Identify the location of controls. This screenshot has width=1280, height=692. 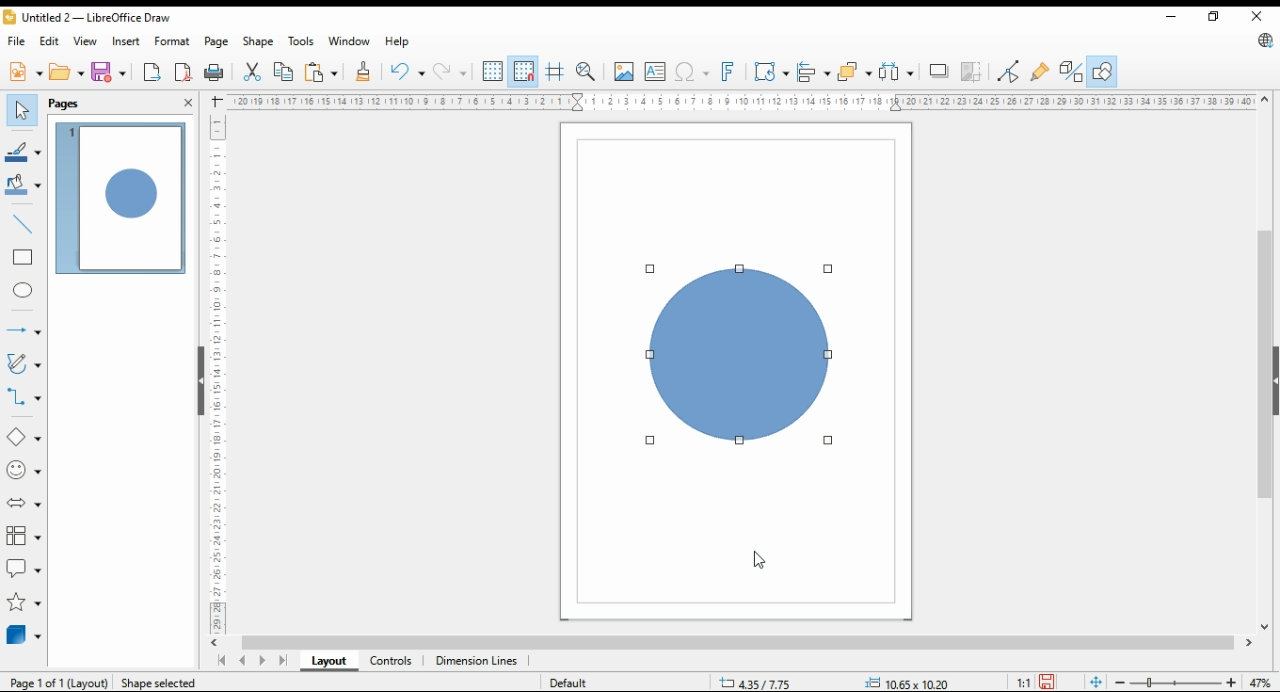
(390, 659).